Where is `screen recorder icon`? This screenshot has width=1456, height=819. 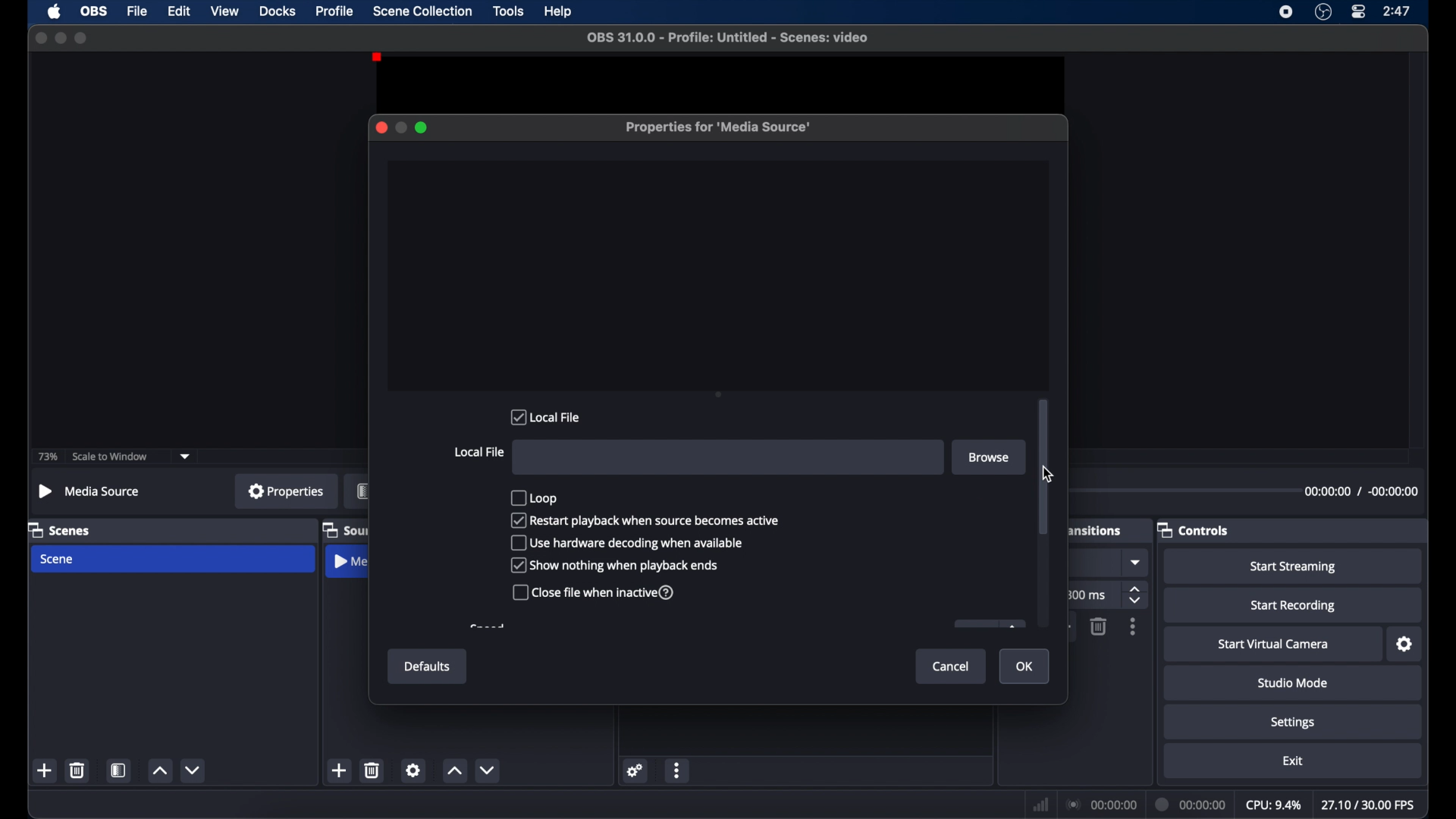
screen recorder icon is located at coordinates (1286, 12).